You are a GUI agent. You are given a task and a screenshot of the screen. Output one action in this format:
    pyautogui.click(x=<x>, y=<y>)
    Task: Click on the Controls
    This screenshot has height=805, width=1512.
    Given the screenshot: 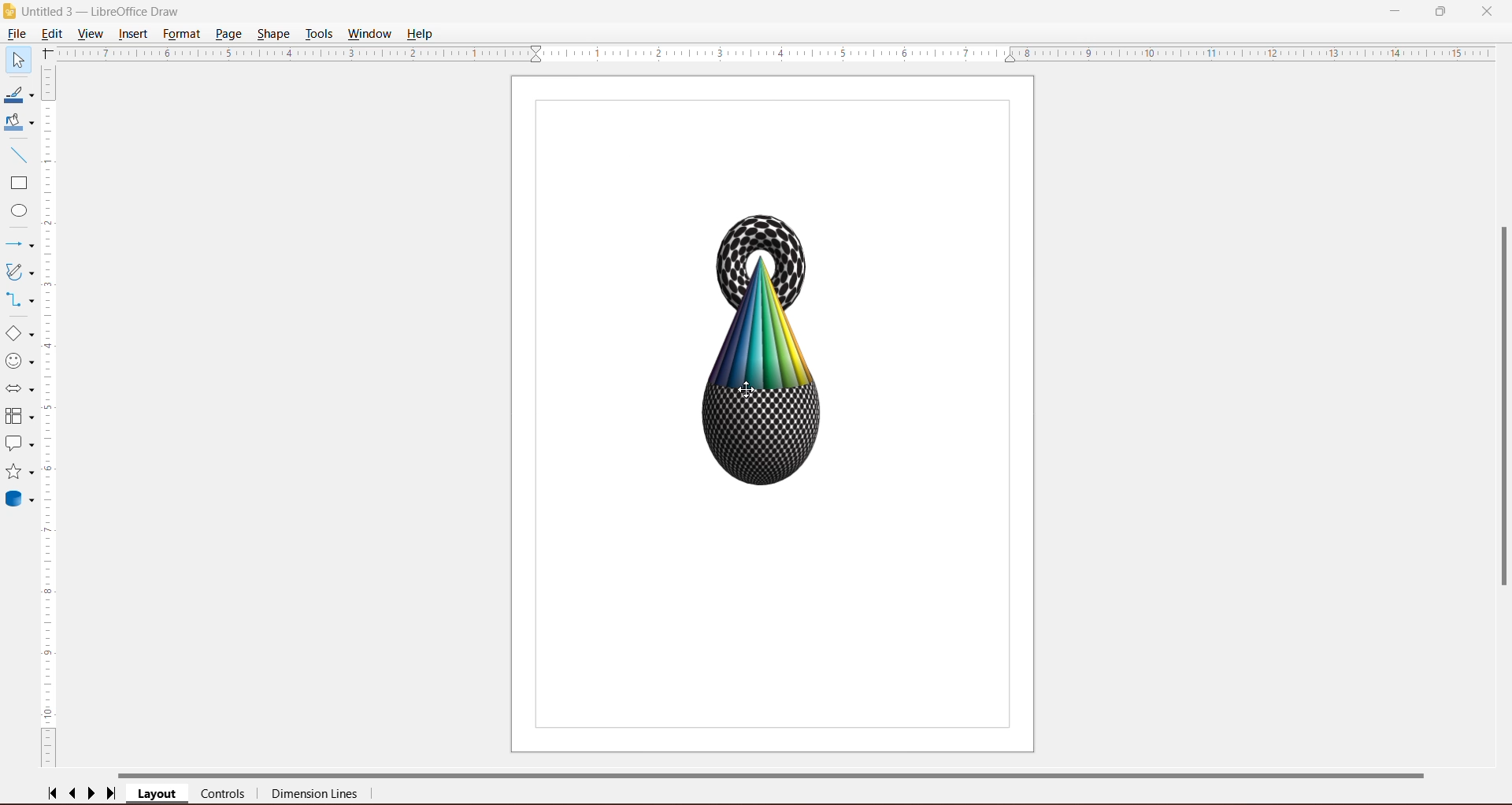 What is the action you would take?
    pyautogui.click(x=223, y=794)
    